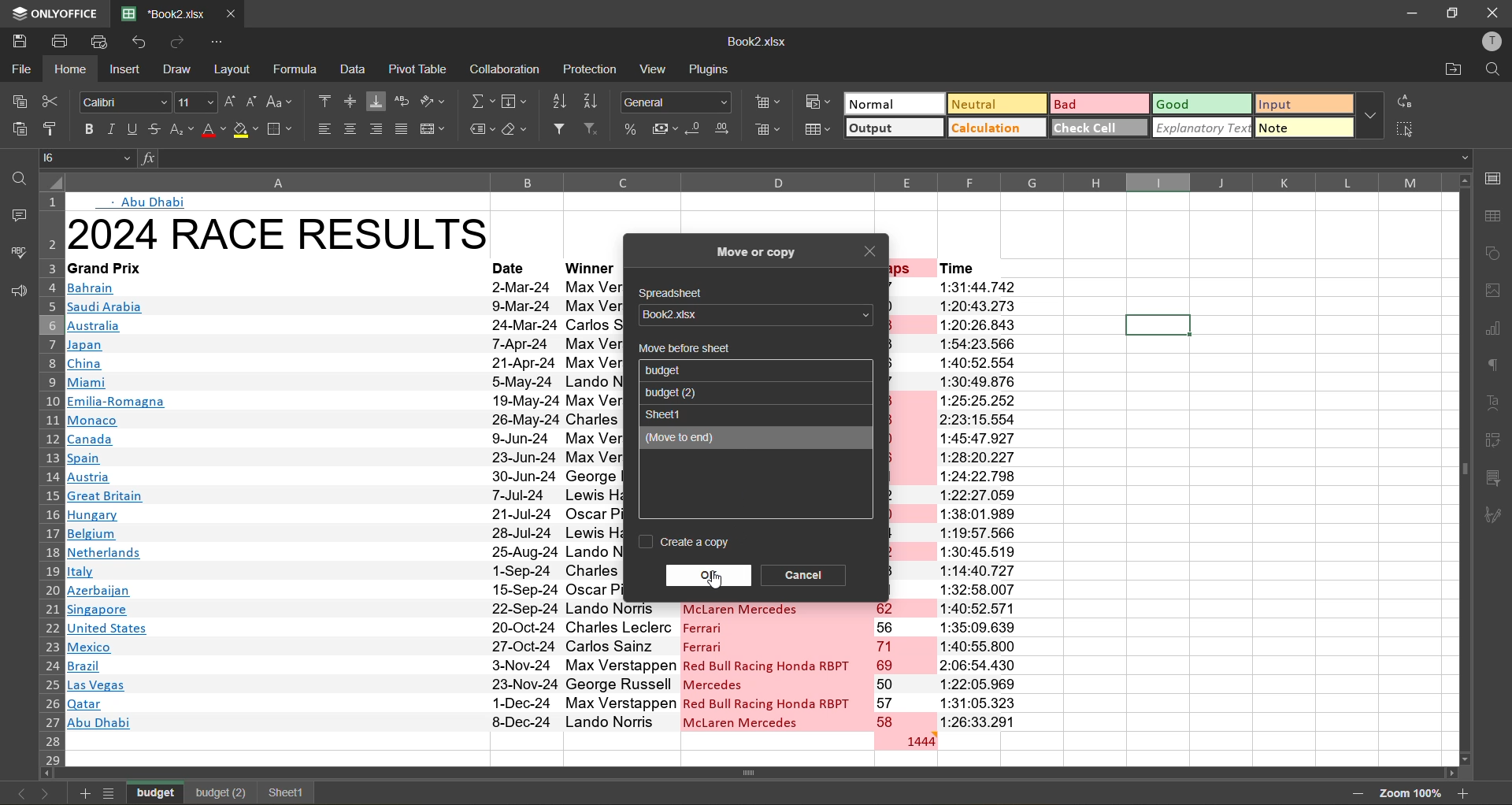  Describe the element at coordinates (124, 71) in the screenshot. I see `insert` at that location.